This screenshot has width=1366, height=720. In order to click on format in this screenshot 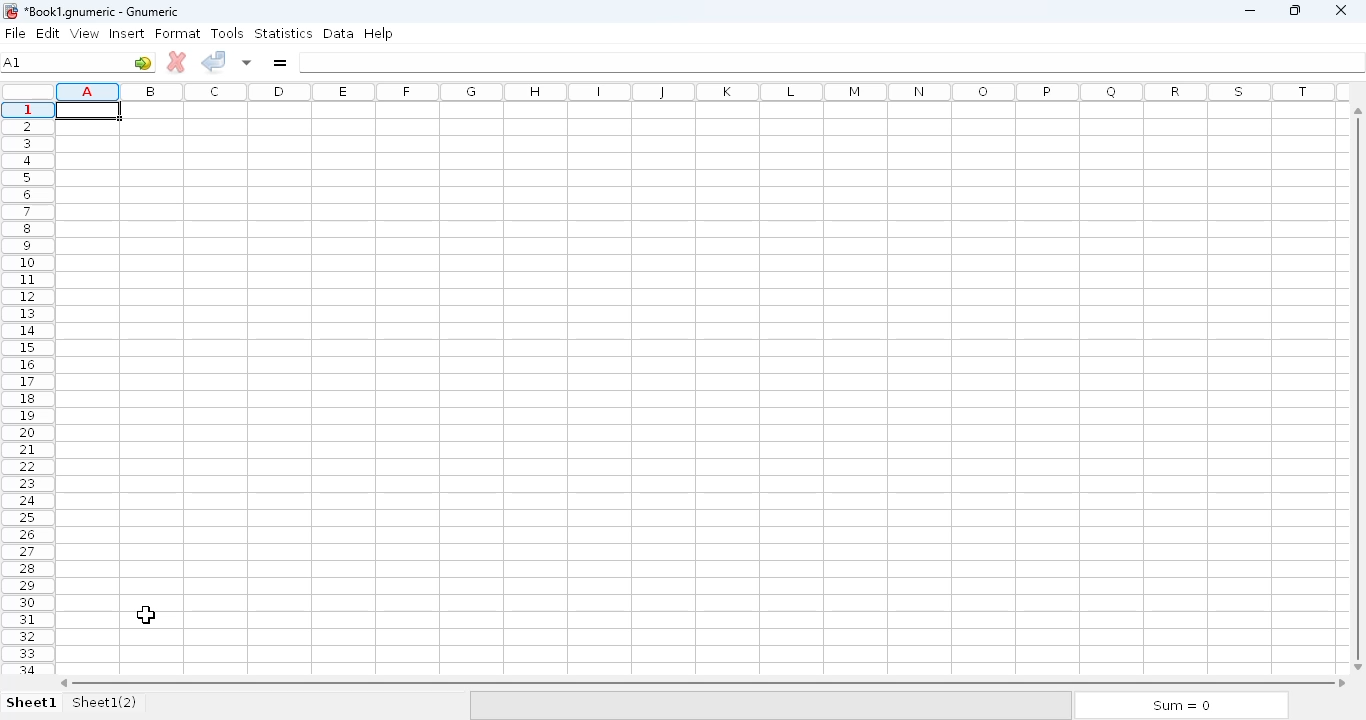, I will do `click(178, 34)`.